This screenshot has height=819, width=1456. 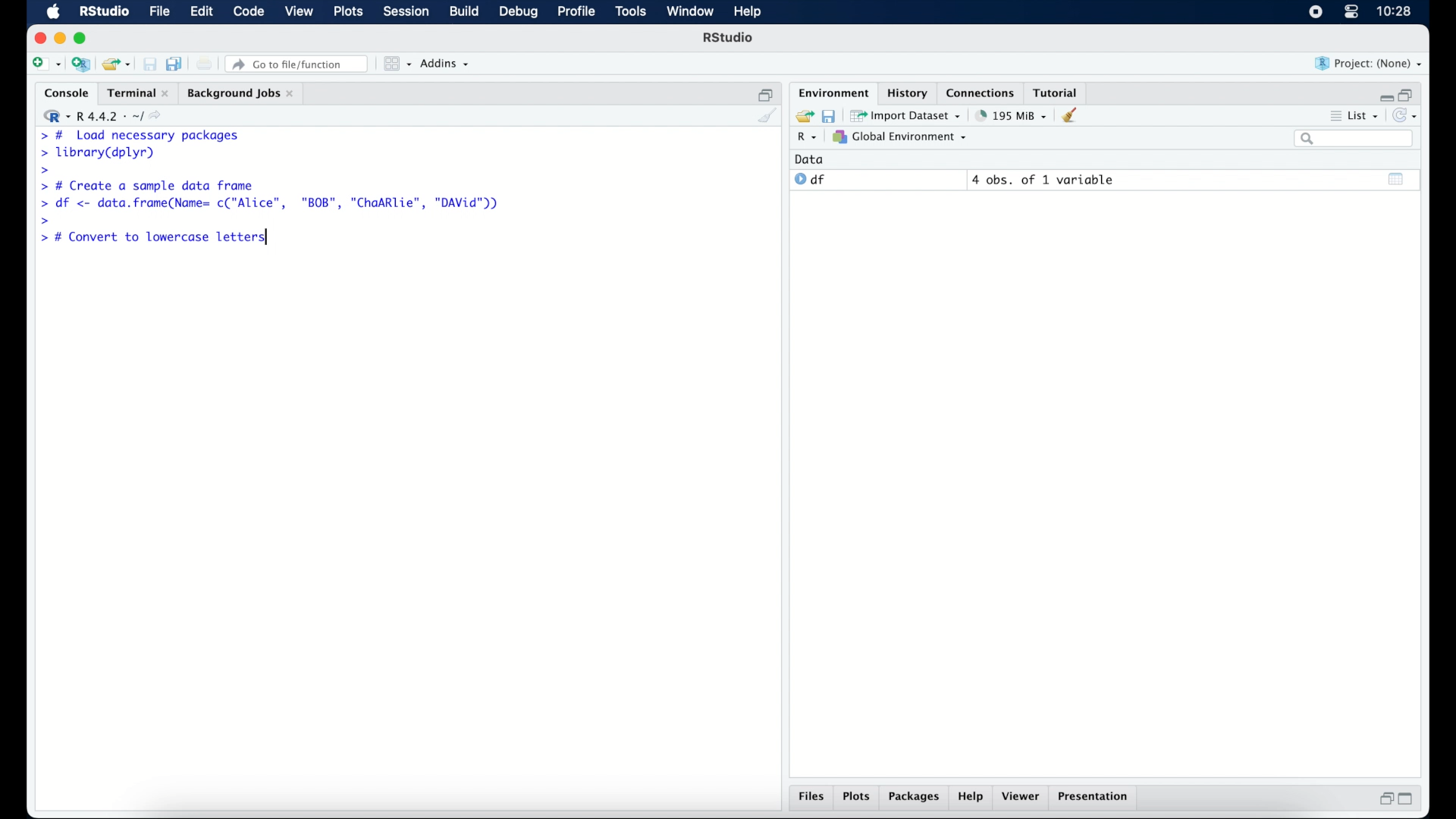 What do you see at coordinates (766, 117) in the screenshot?
I see `clear console` at bounding box center [766, 117].